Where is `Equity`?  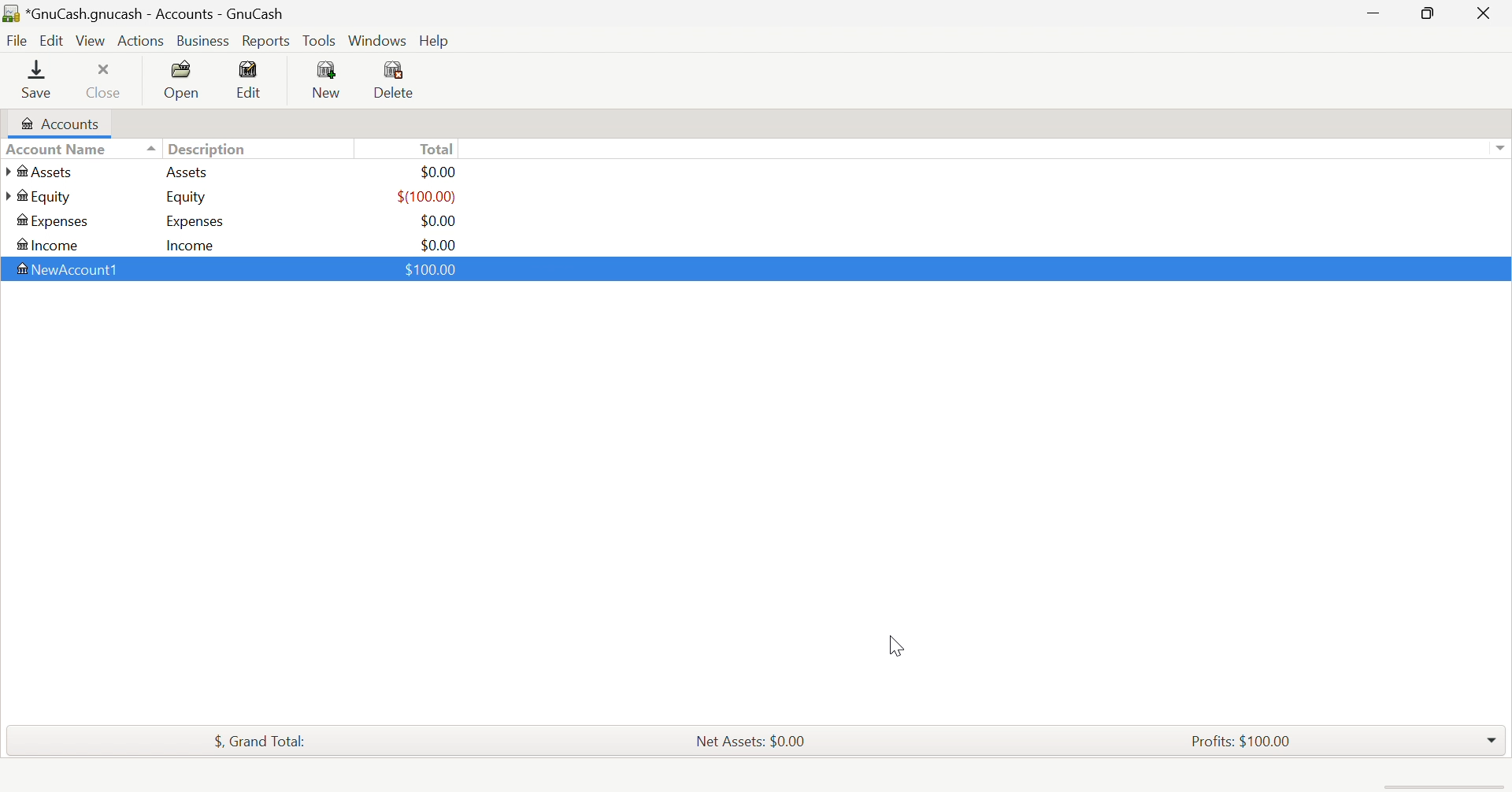 Equity is located at coordinates (187, 198).